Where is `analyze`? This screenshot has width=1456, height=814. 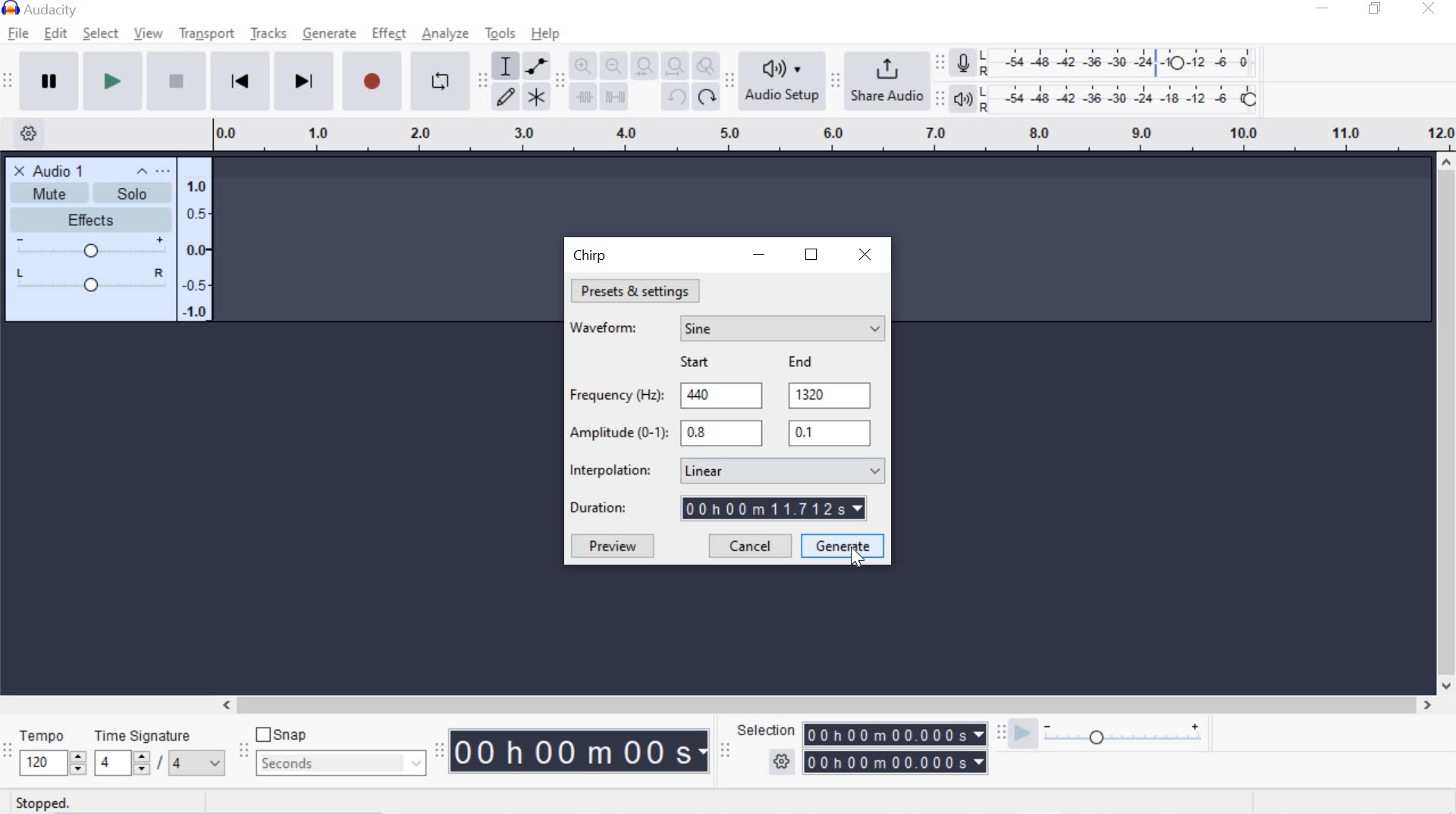 analyze is located at coordinates (445, 35).